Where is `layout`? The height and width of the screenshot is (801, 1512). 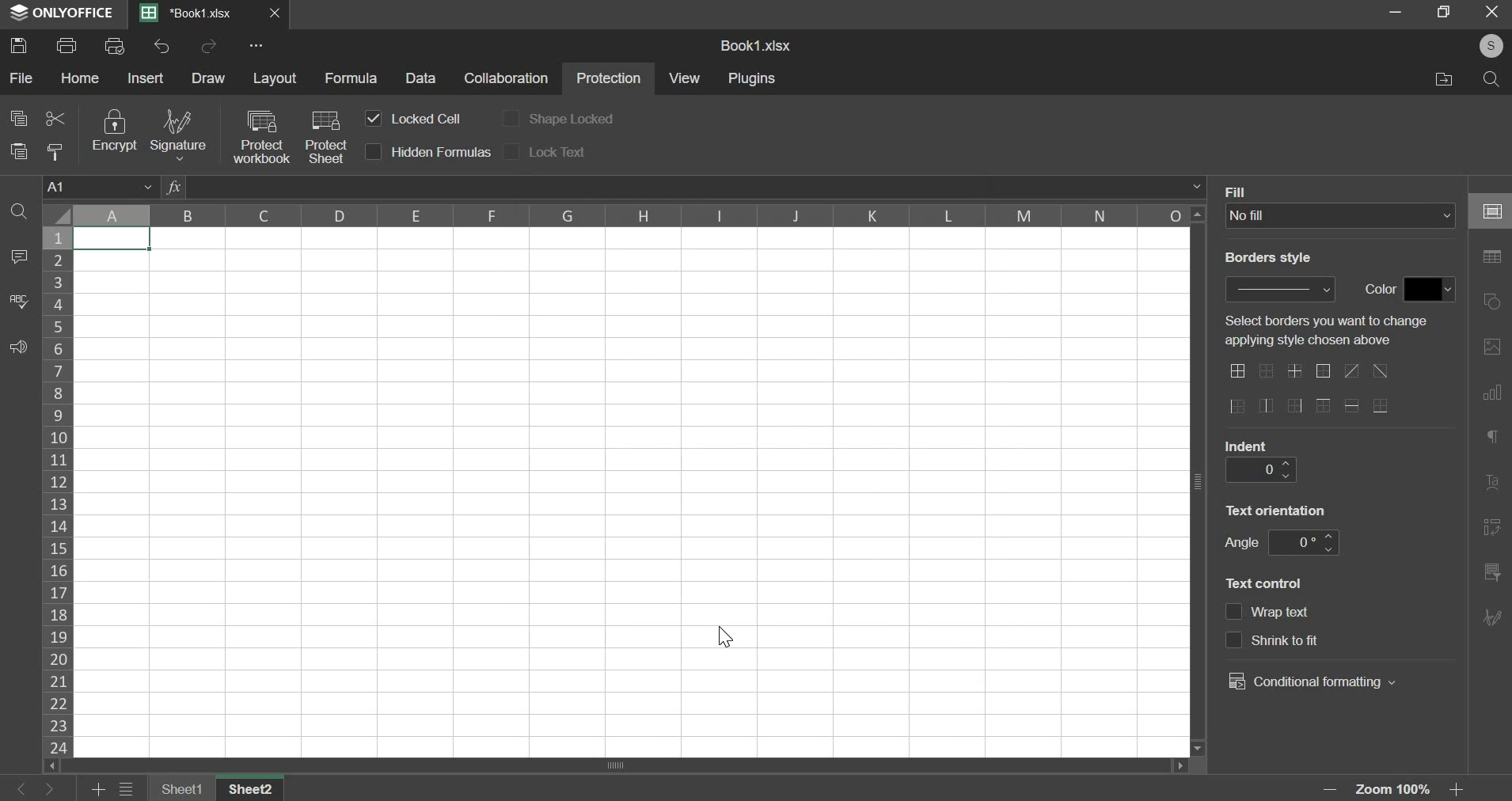 layout is located at coordinates (275, 78).